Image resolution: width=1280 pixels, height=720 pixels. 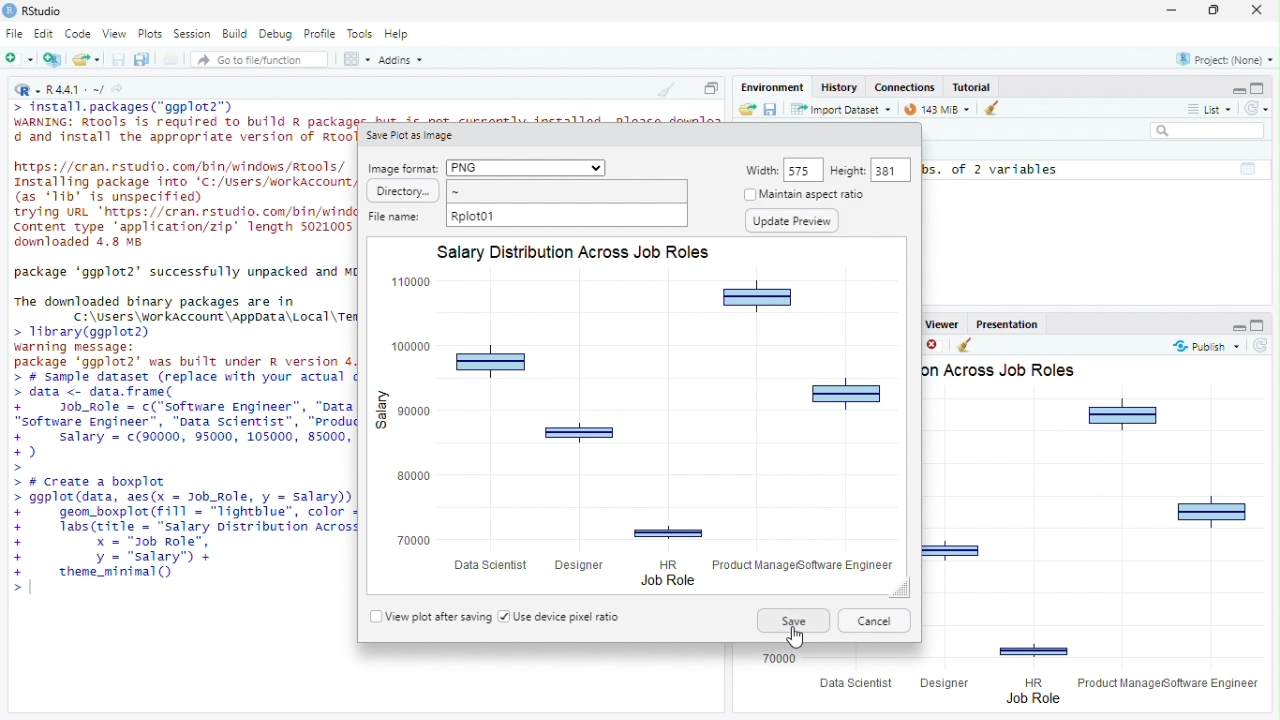 I want to click on Tools, so click(x=359, y=34).